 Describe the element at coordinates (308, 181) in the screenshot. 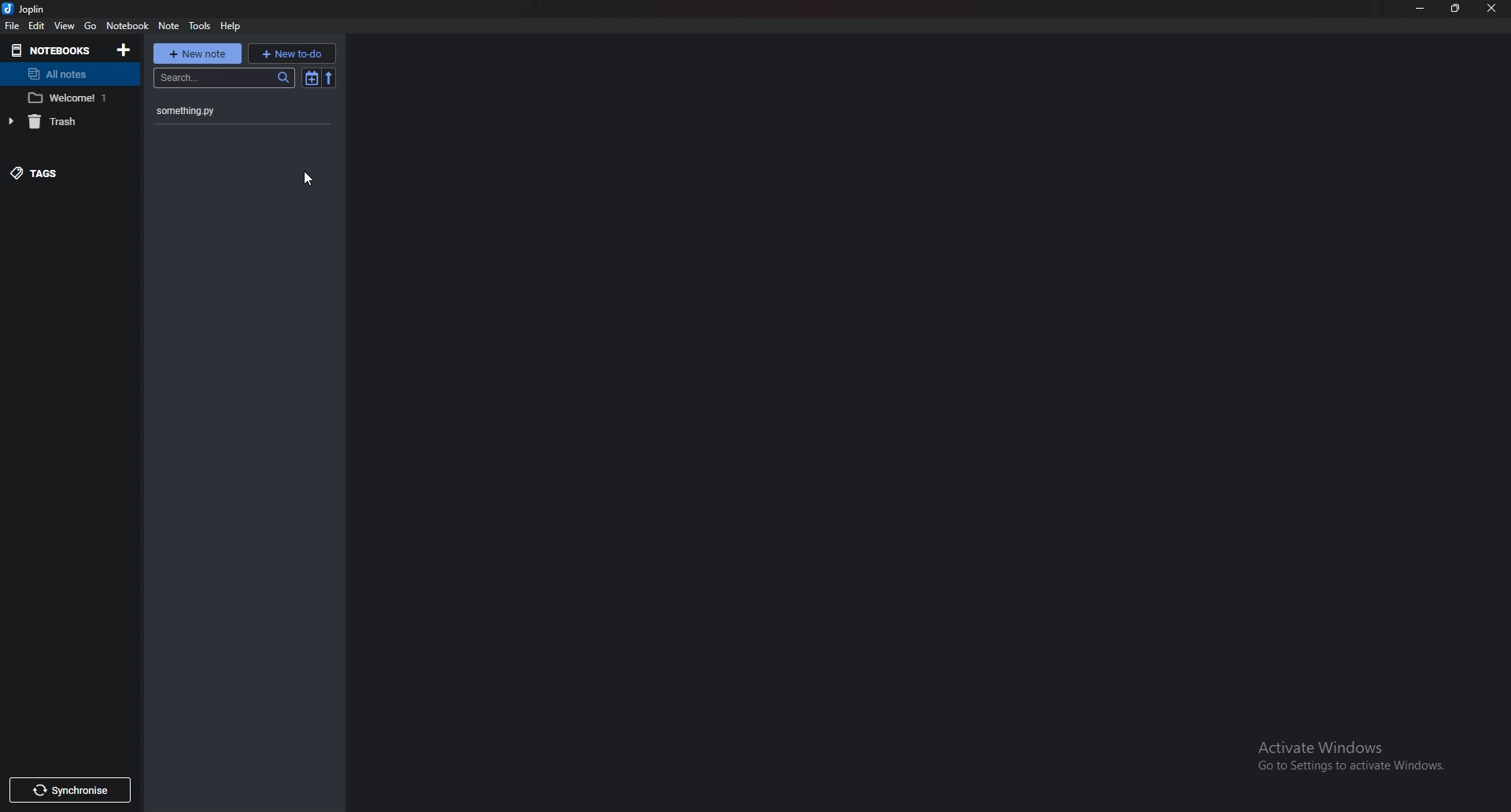

I see `cursor` at that location.